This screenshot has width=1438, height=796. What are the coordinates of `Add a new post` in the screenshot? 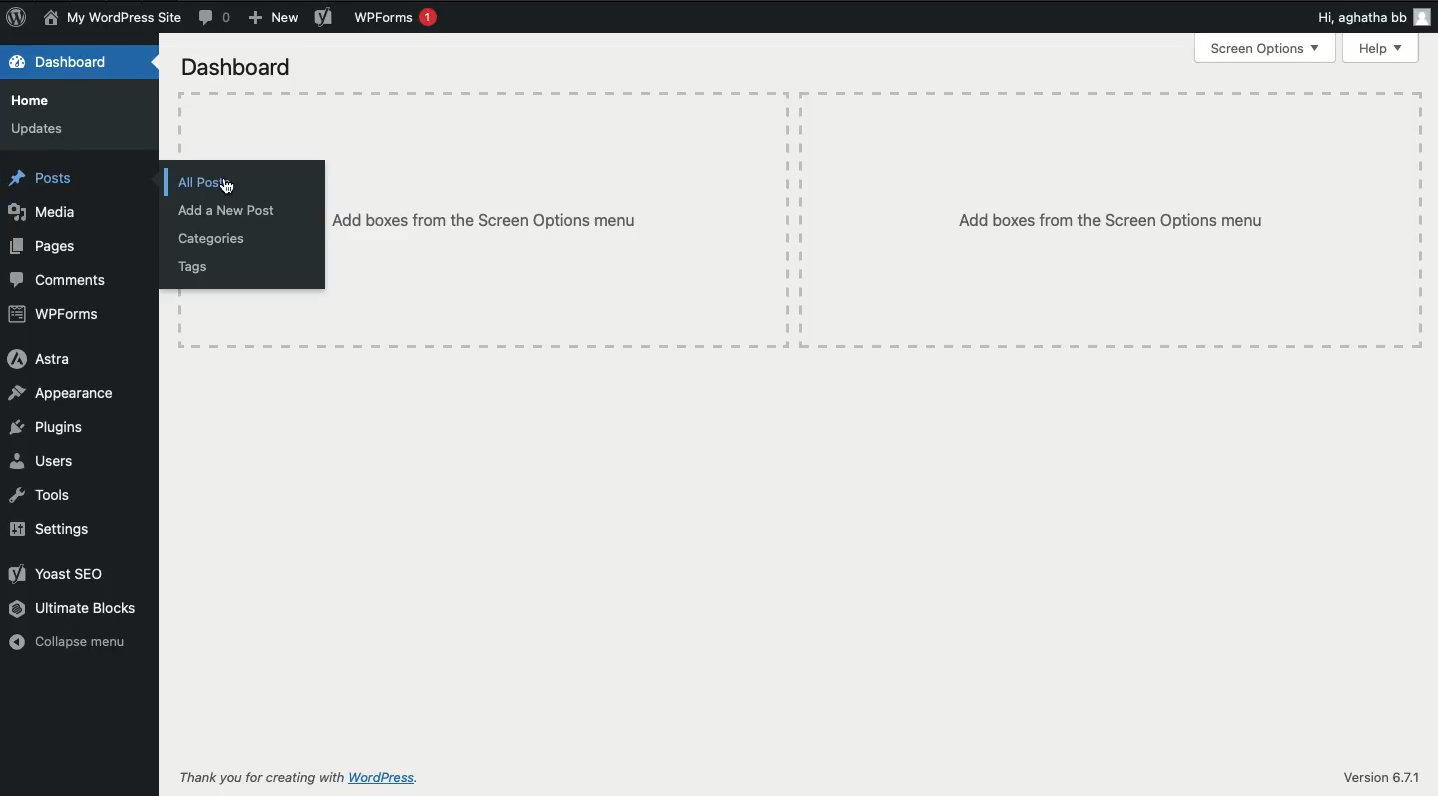 It's located at (229, 211).